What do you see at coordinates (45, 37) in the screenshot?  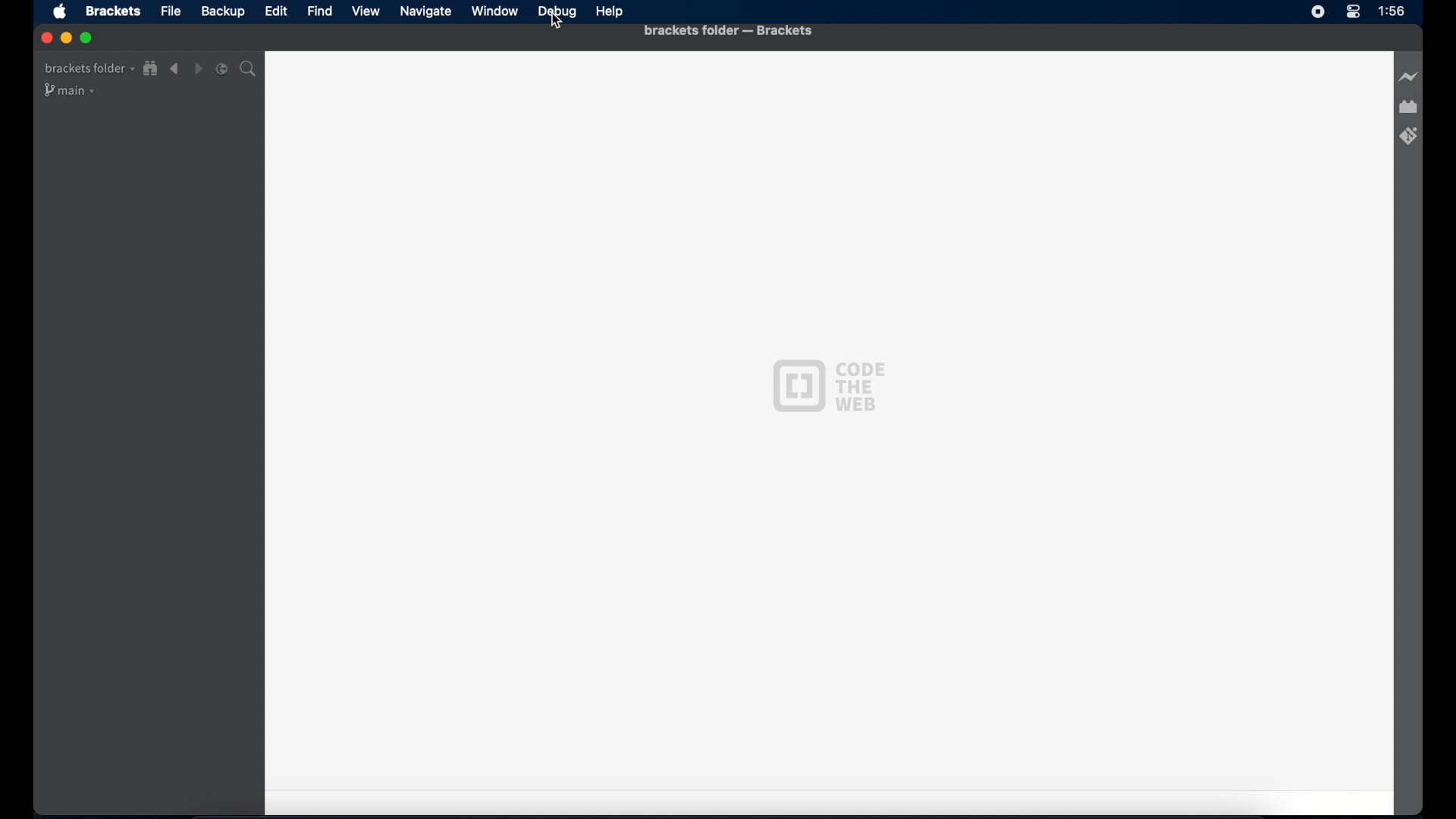 I see `close` at bounding box center [45, 37].